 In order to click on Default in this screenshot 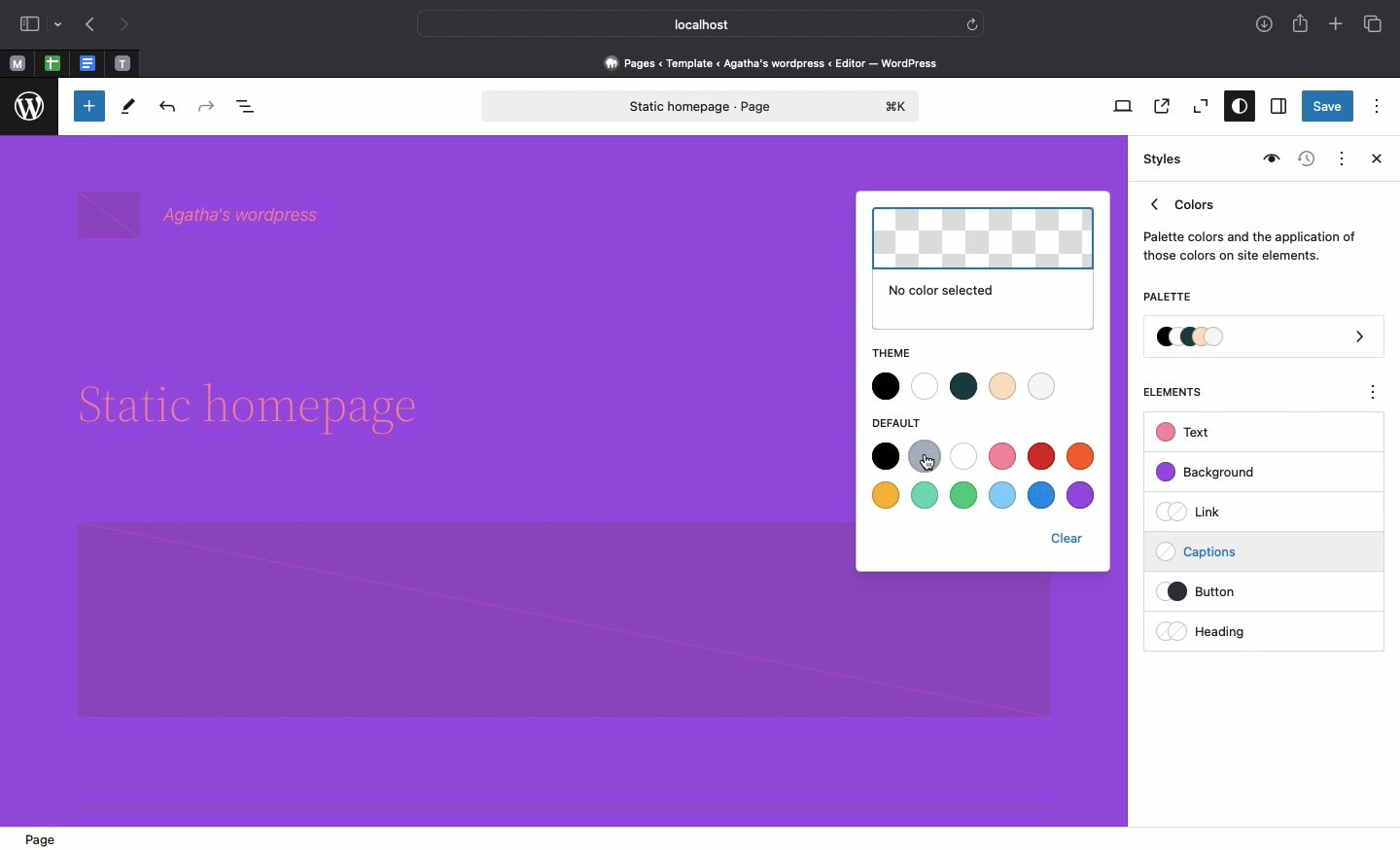, I will do `click(904, 422)`.